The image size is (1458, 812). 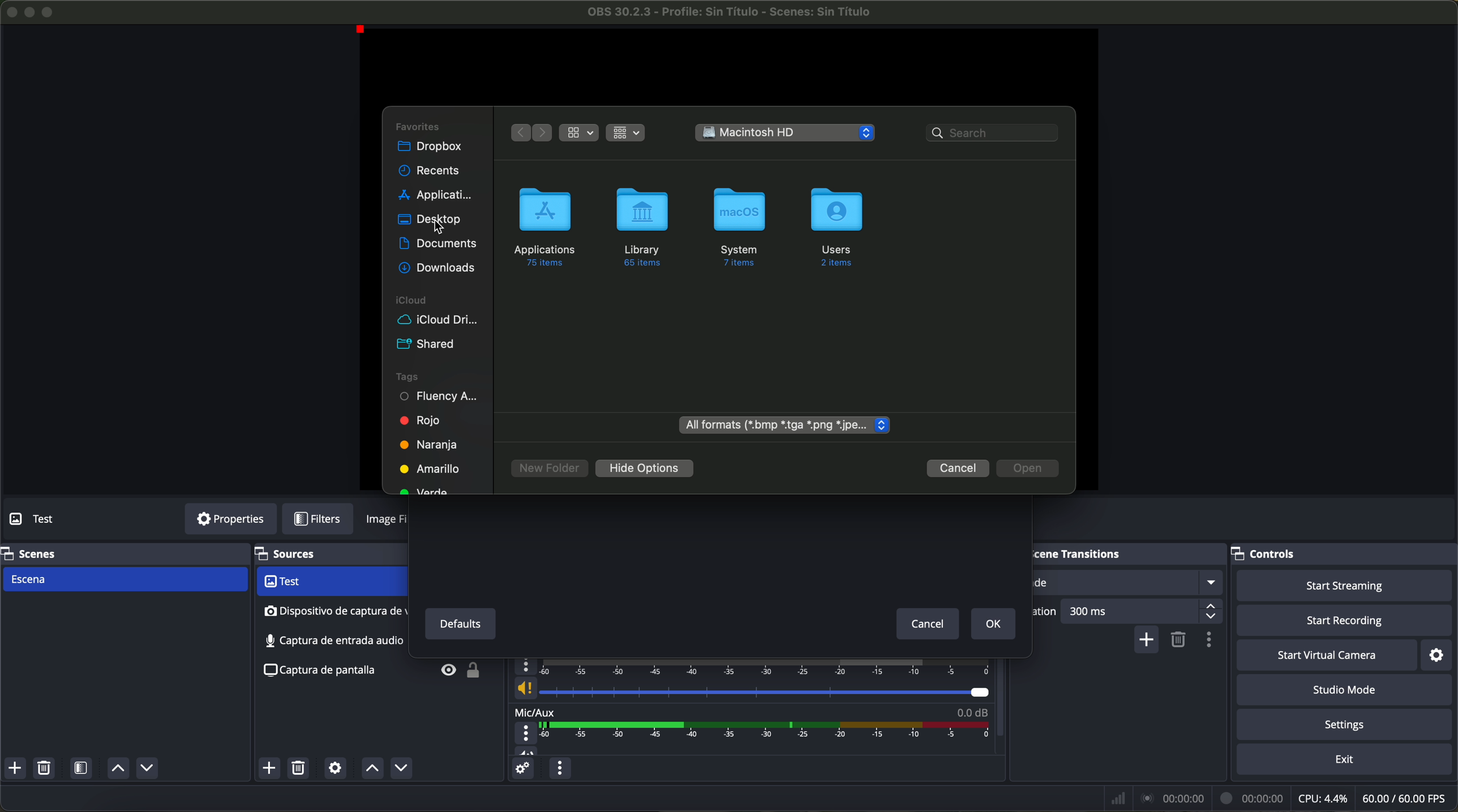 I want to click on start virtual camera, so click(x=1327, y=655).